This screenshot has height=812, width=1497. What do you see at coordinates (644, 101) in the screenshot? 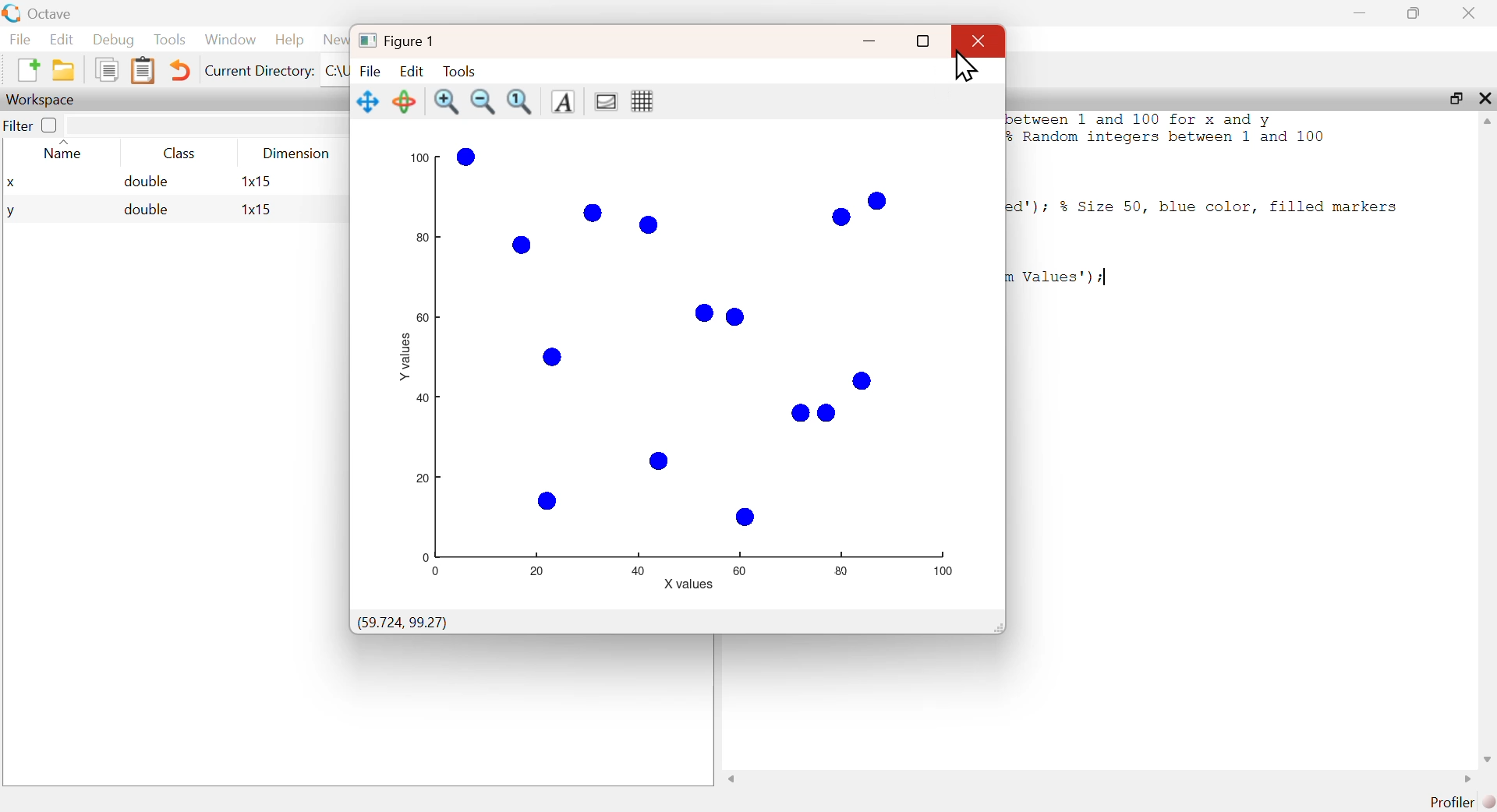
I see `Grid` at bounding box center [644, 101].